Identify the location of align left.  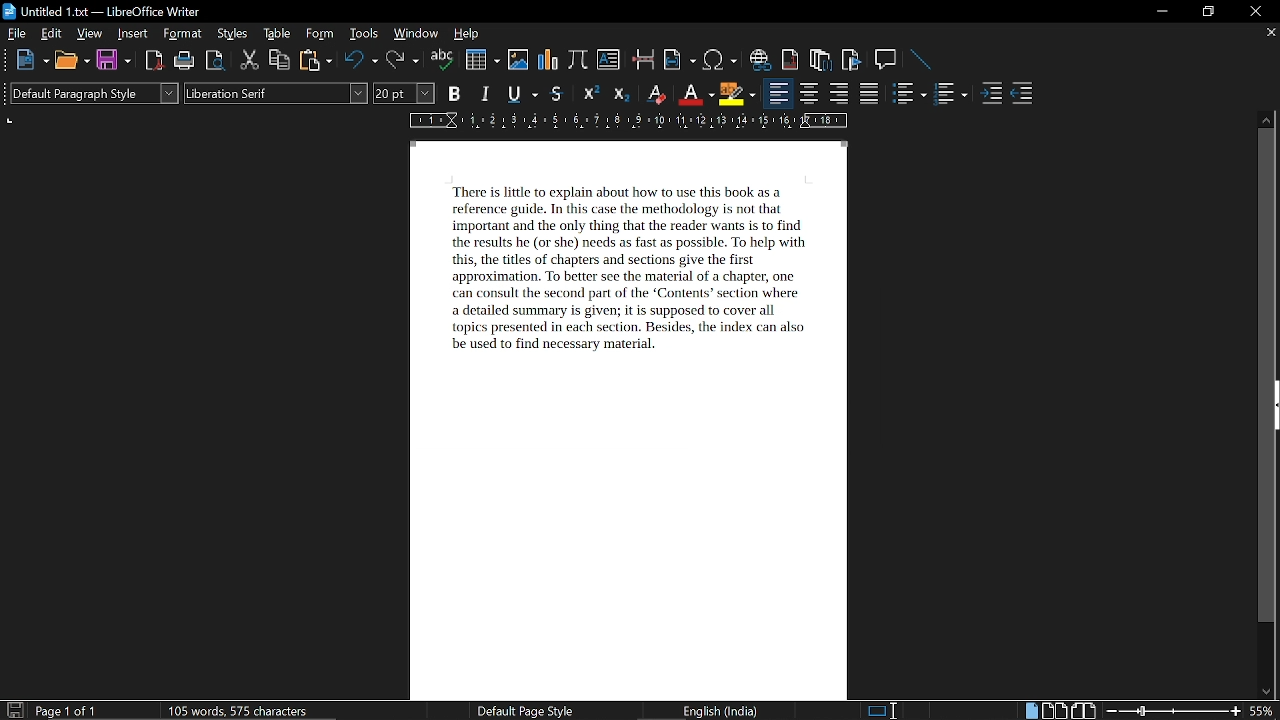
(779, 93).